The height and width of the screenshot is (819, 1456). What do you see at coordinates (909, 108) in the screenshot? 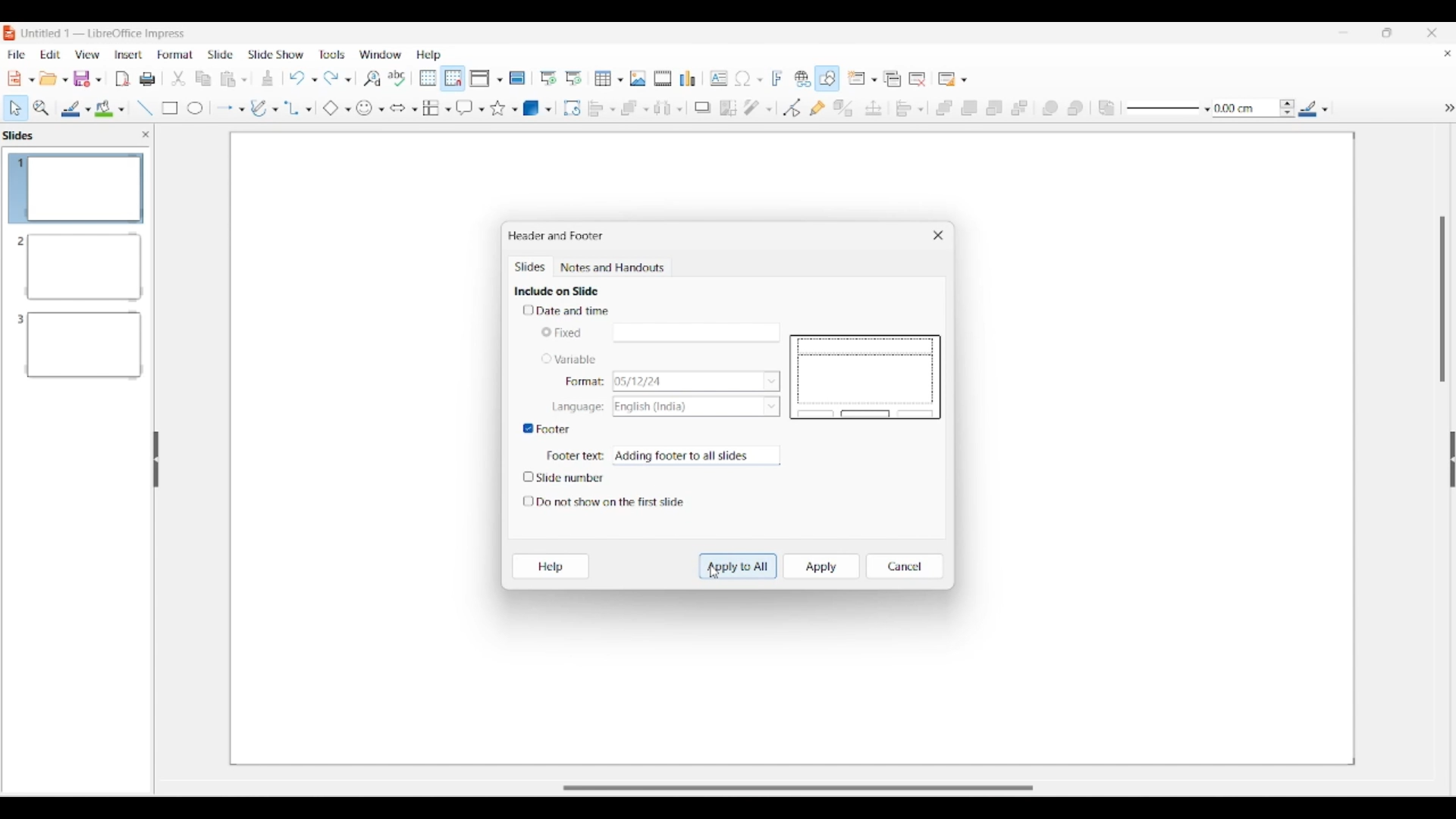
I see `Align objects` at bounding box center [909, 108].